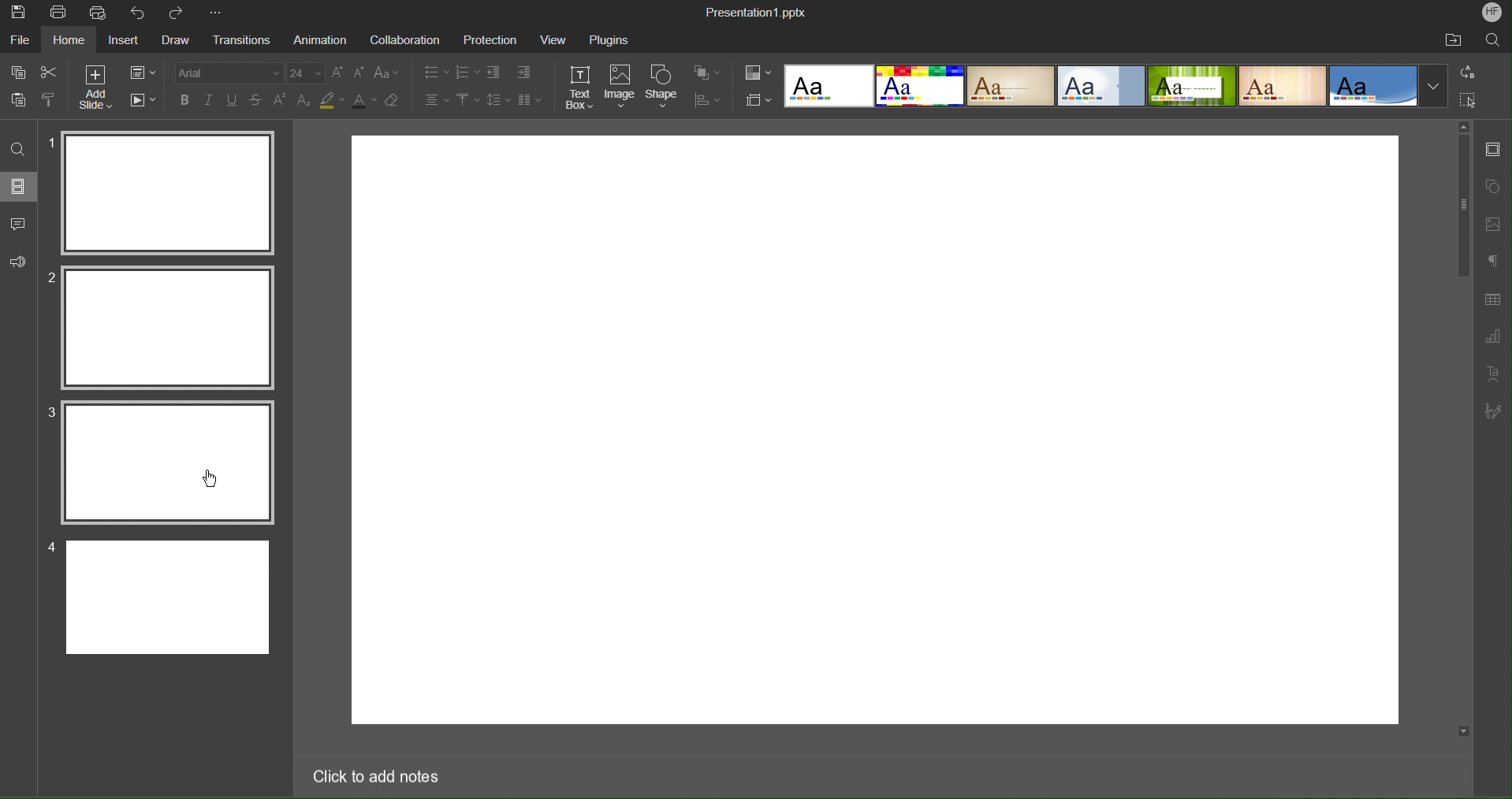  What do you see at coordinates (1494, 41) in the screenshot?
I see `Search` at bounding box center [1494, 41].